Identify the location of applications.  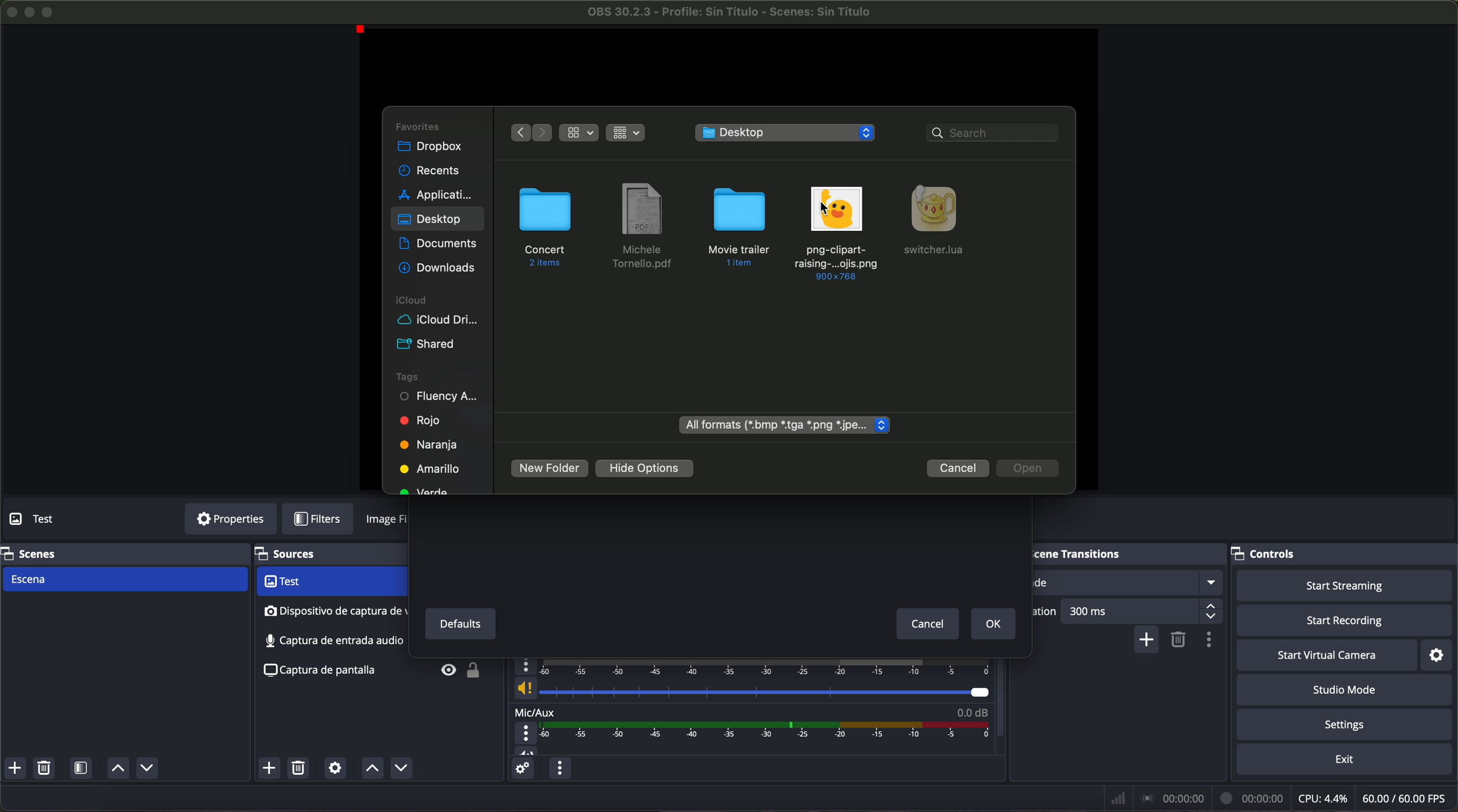
(435, 194).